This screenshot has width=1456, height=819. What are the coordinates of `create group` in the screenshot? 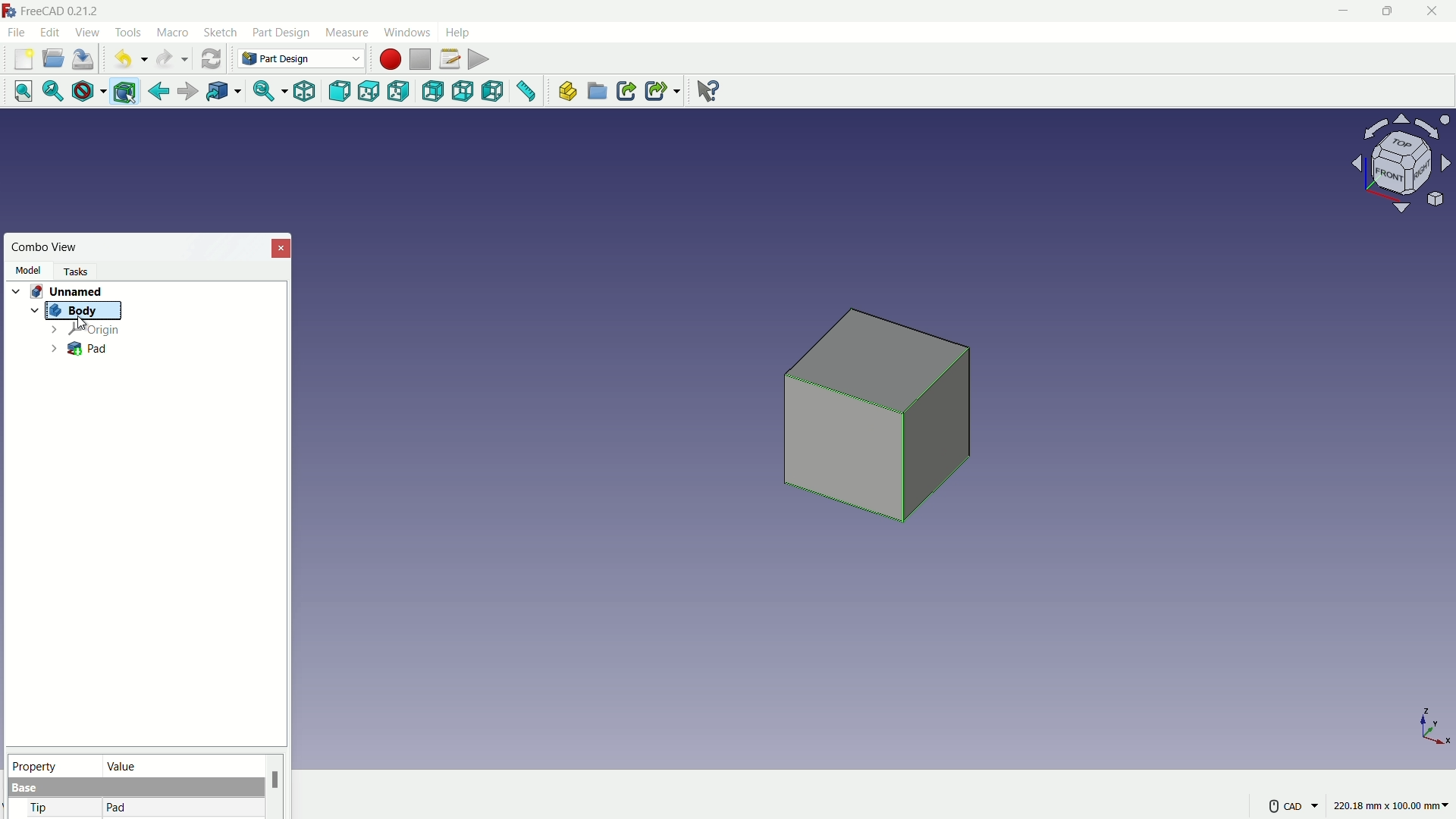 It's located at (598, 93).